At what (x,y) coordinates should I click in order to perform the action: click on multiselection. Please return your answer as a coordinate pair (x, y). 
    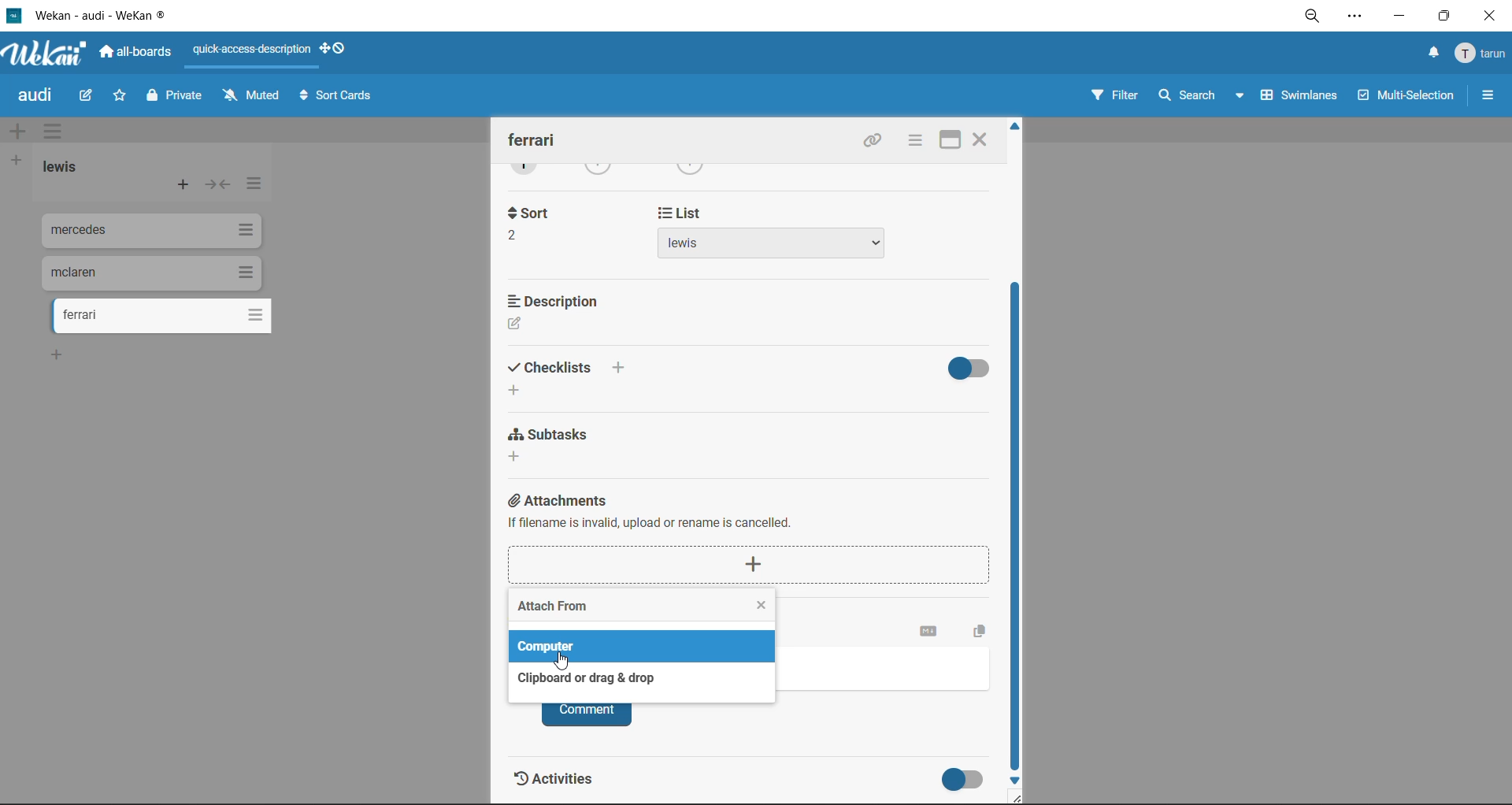
    Looking at the image, I should click on (1407, 98).